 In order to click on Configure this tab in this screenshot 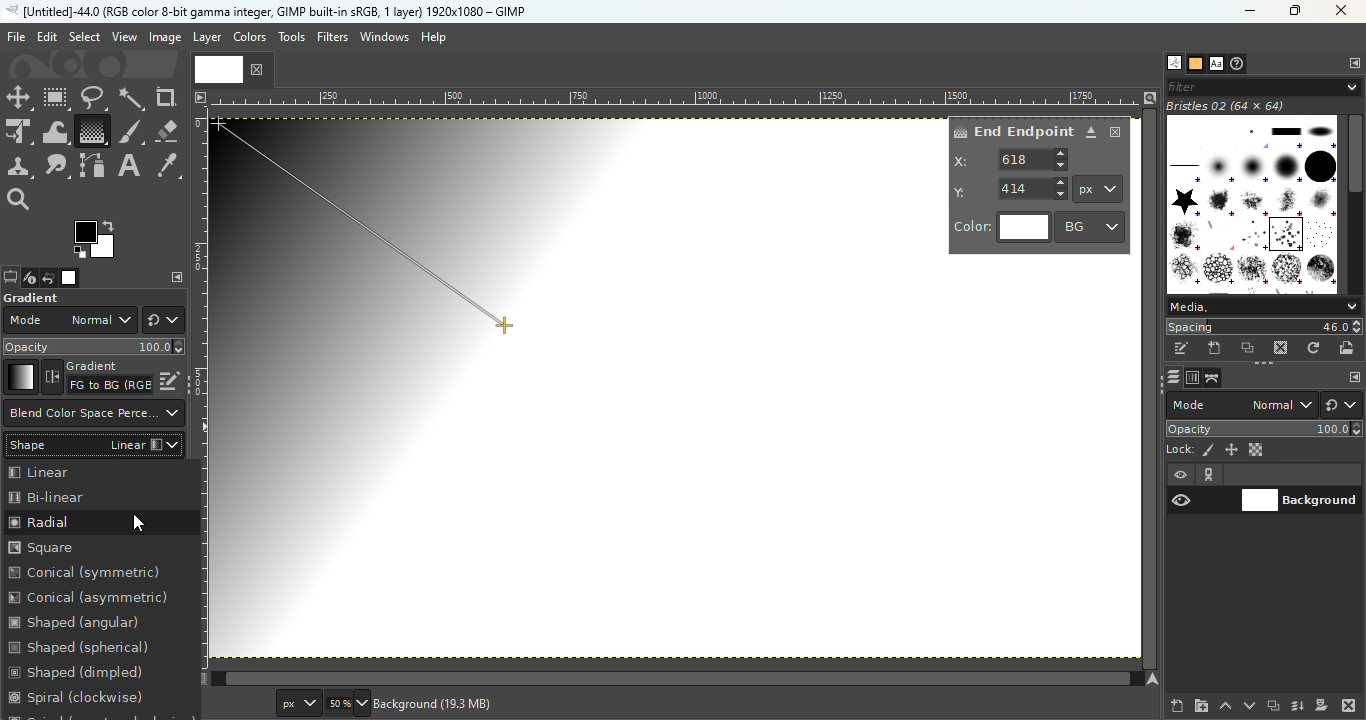, I will do `click(1353, 64)`.